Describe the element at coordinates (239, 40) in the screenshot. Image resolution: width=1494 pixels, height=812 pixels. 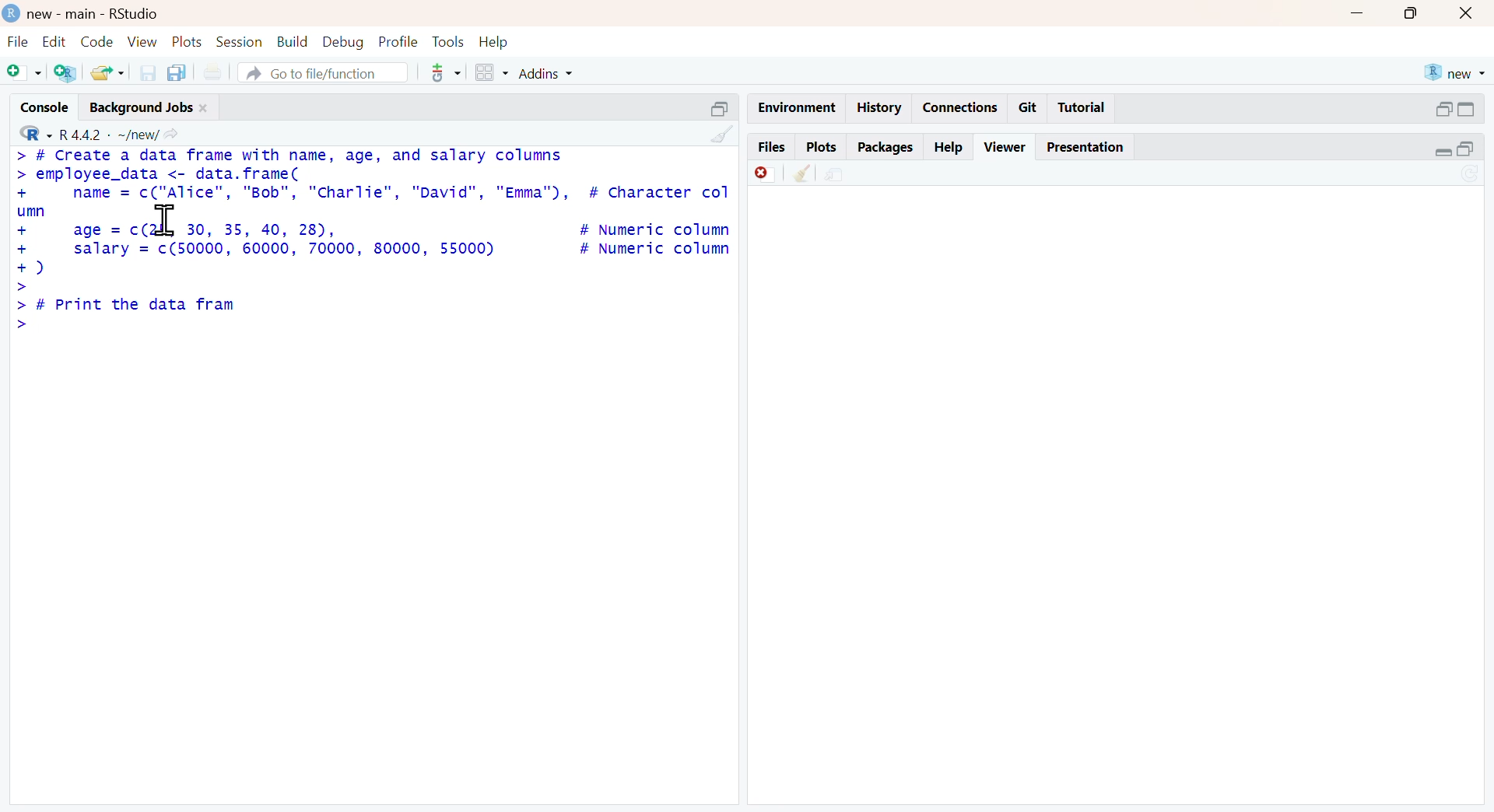
I see `Session` at that location.